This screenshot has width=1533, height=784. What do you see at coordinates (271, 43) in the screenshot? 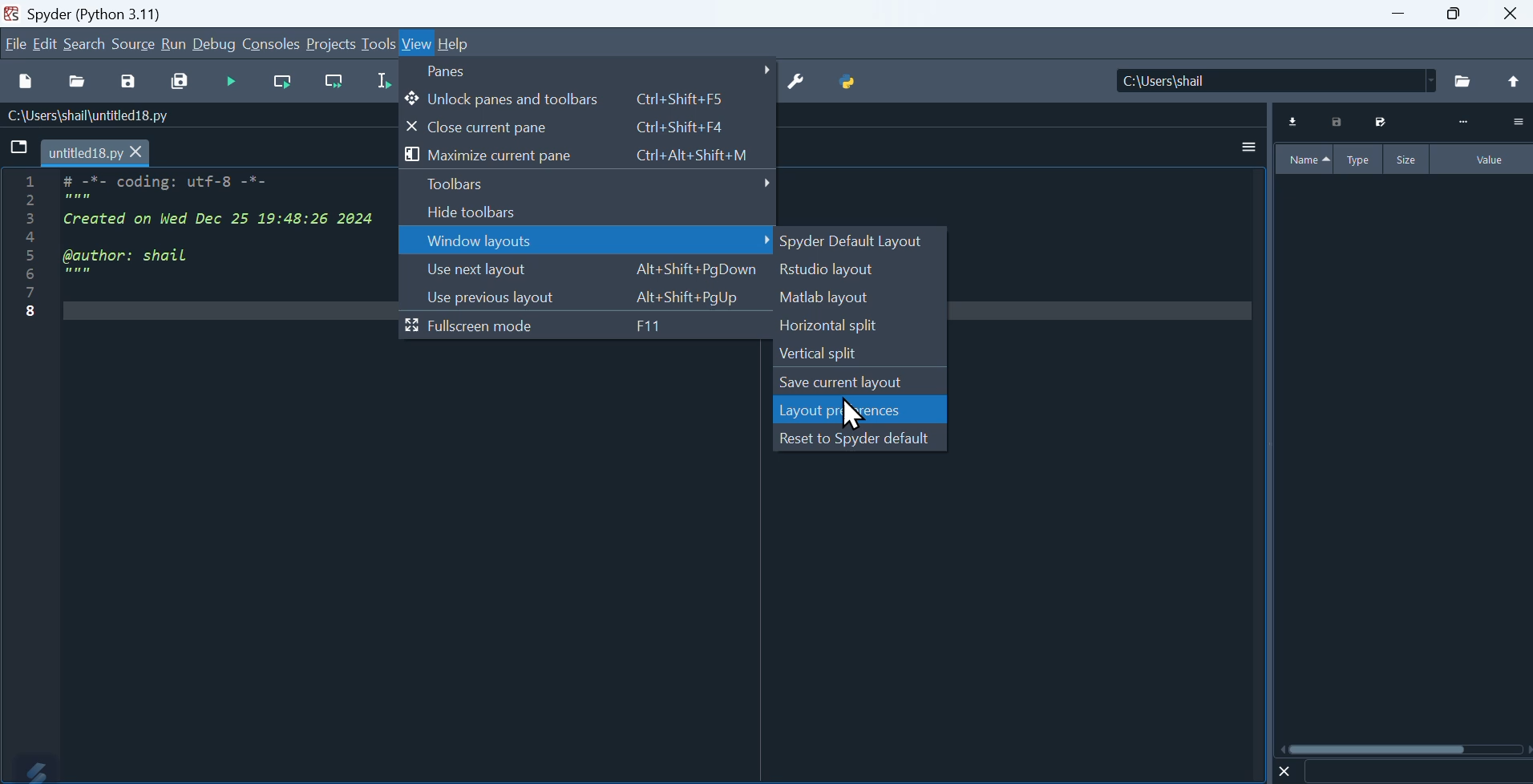
I see `Console` at bounding box center [271, 43].